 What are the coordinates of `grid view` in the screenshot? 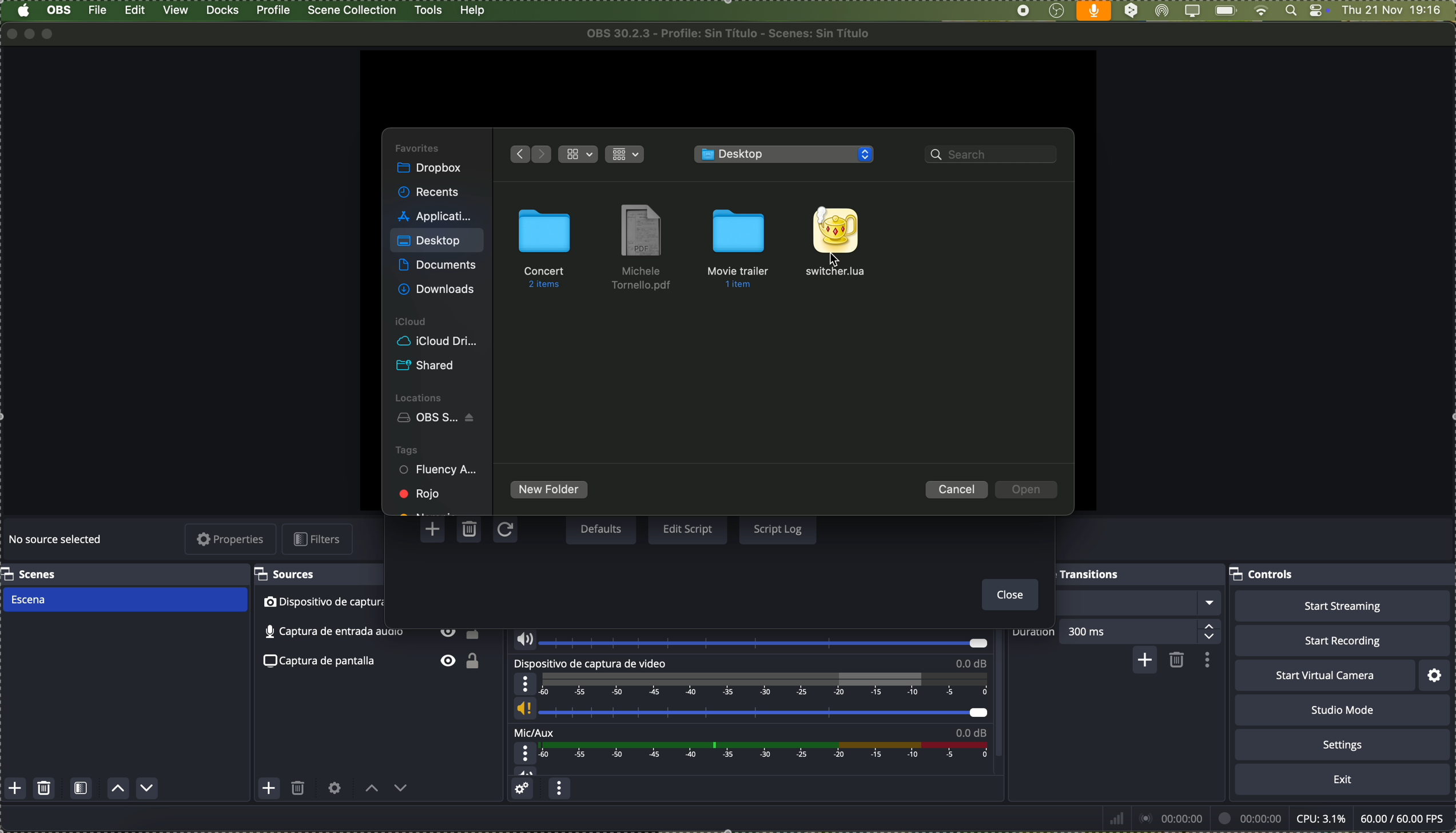 It's located at (579, 154).